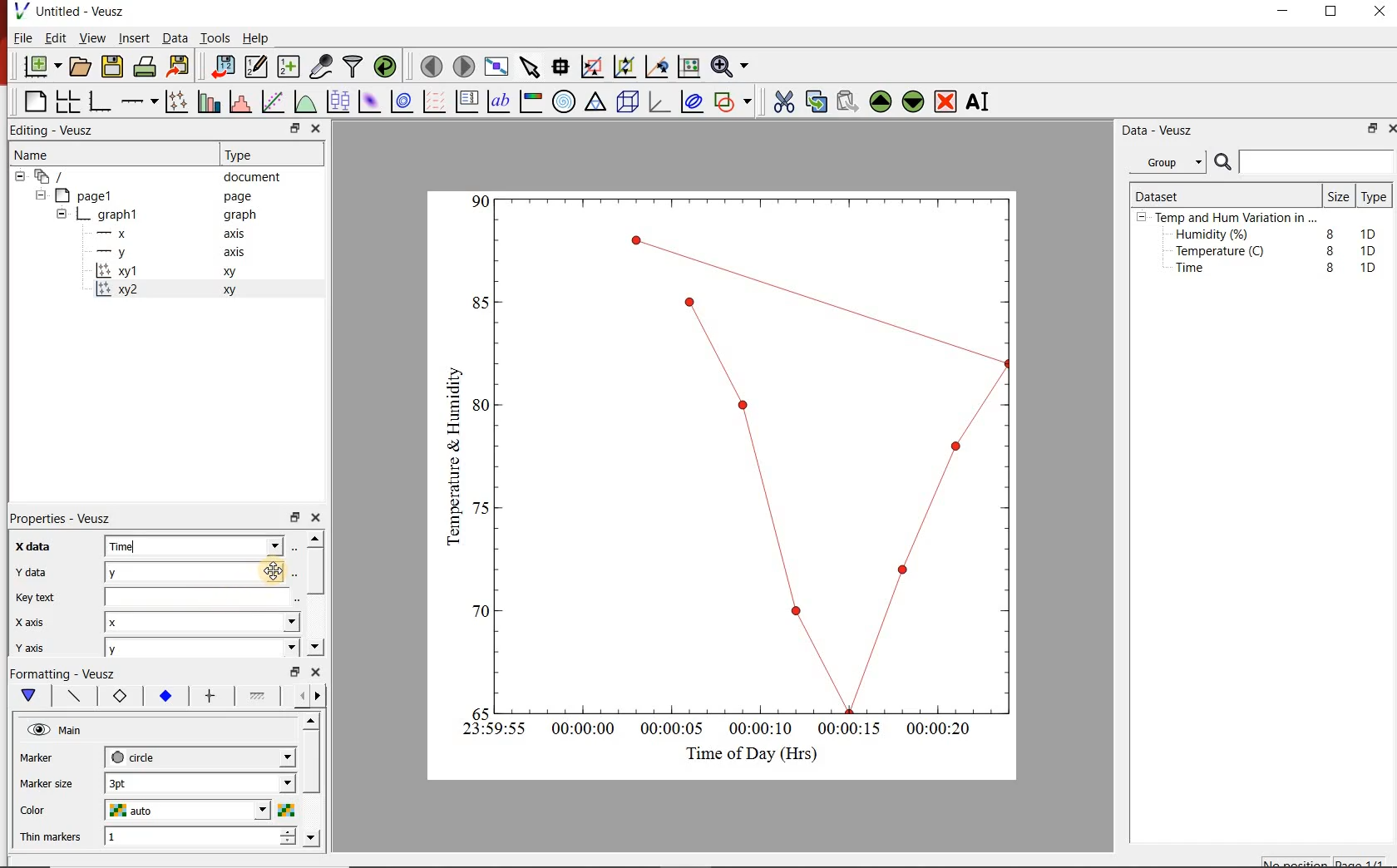 The height and width of the screenshot is (868, 1397). Describe the element at coordinates (146, 69) in the screenshot. I see `print the document` at that location.